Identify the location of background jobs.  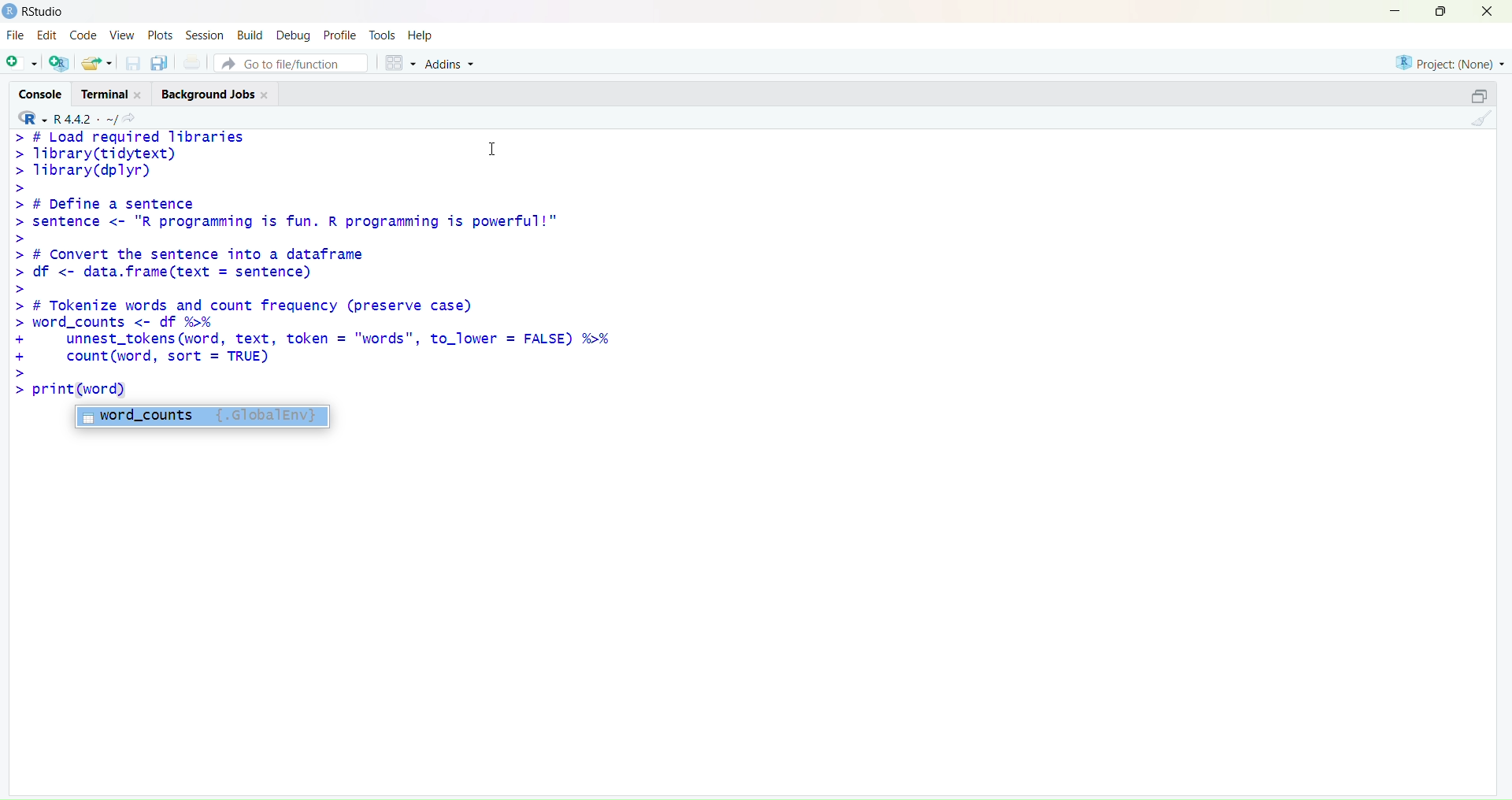
(216, 95).